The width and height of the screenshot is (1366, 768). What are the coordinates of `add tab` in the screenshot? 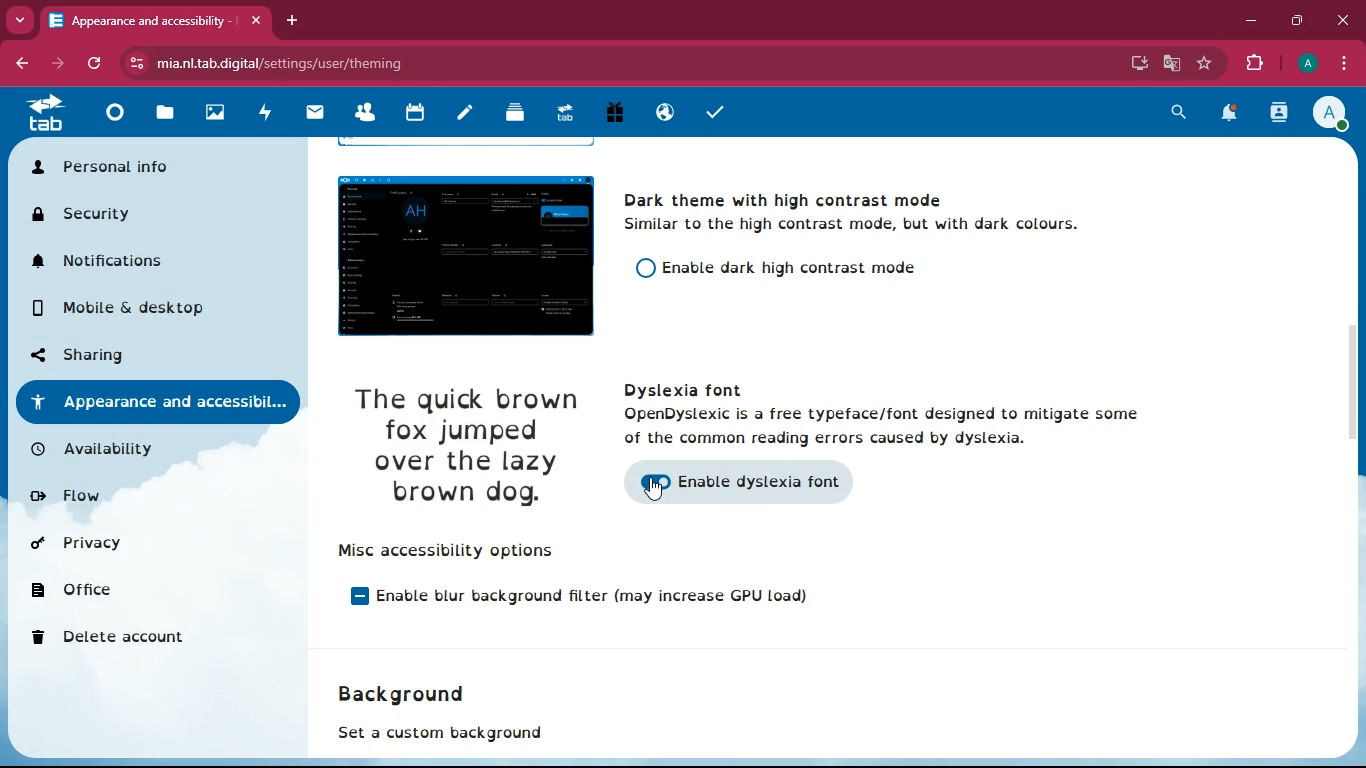 It's located at (292, 20).